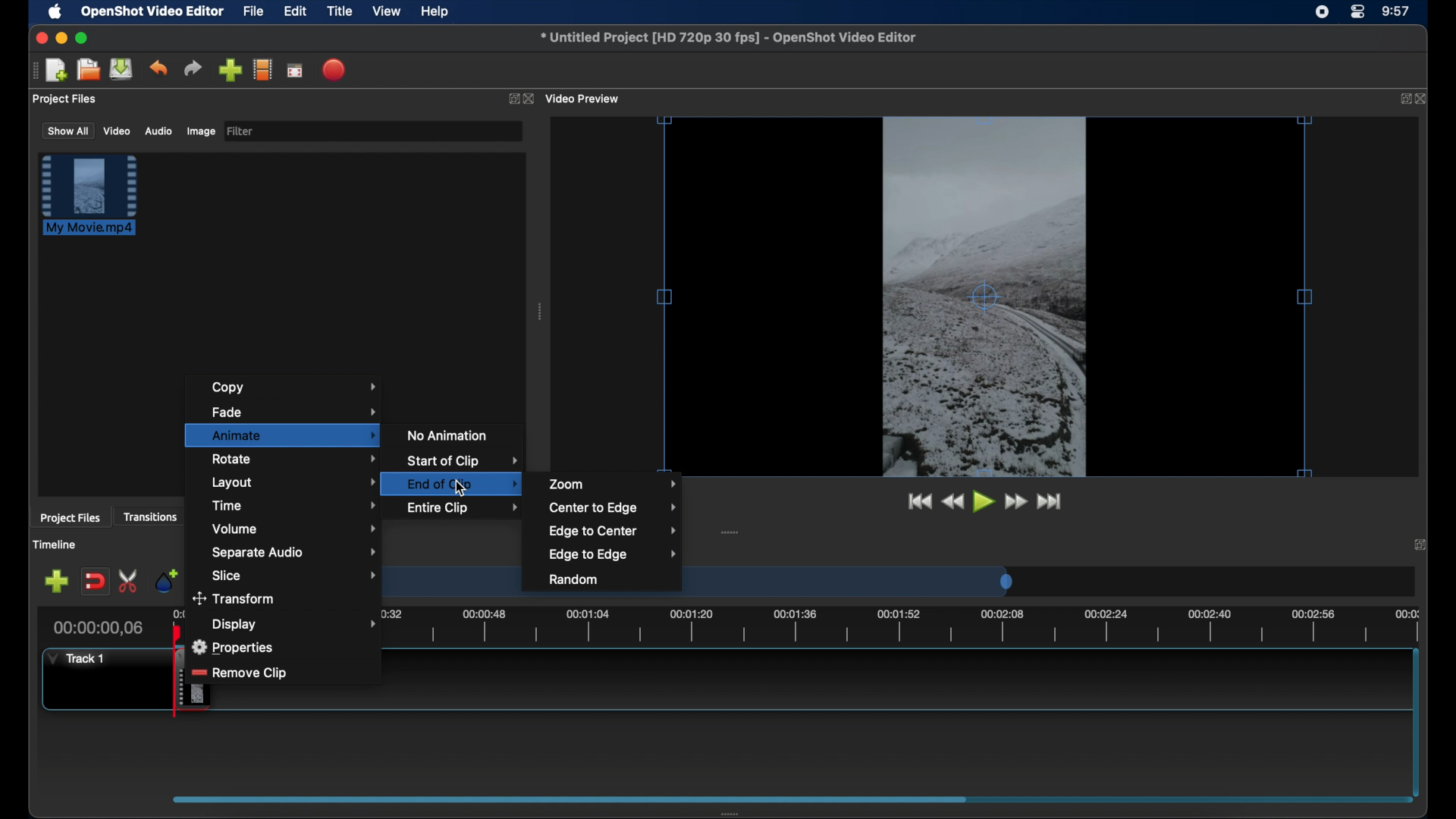 This screenshot has height=819, width=1456. Describe the element at coordinates (96, 202) in the screenshot. I see `clip highlighted` at that location.